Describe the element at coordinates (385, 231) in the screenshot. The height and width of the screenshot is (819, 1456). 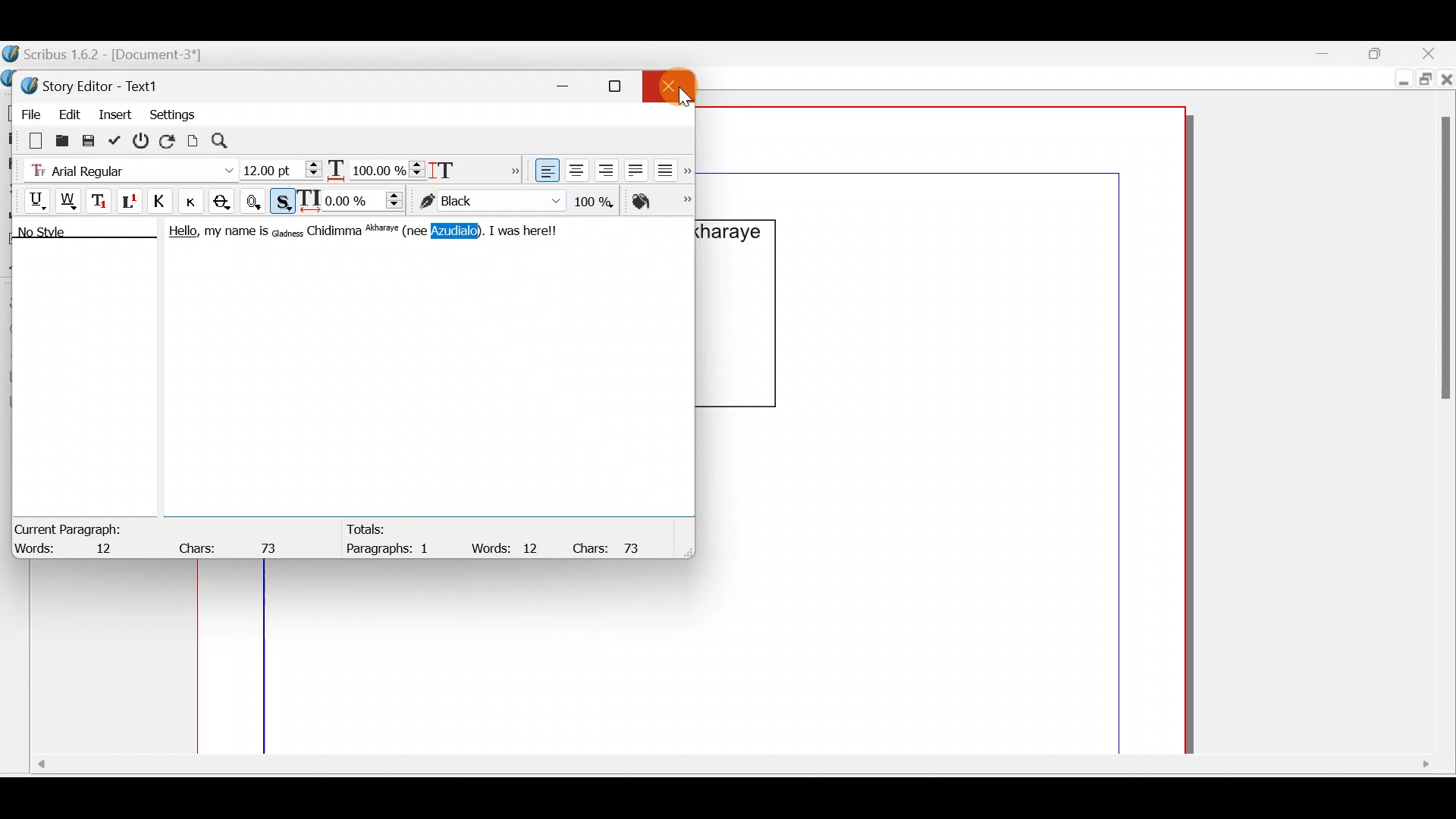
I see `Akharaye` at that location.